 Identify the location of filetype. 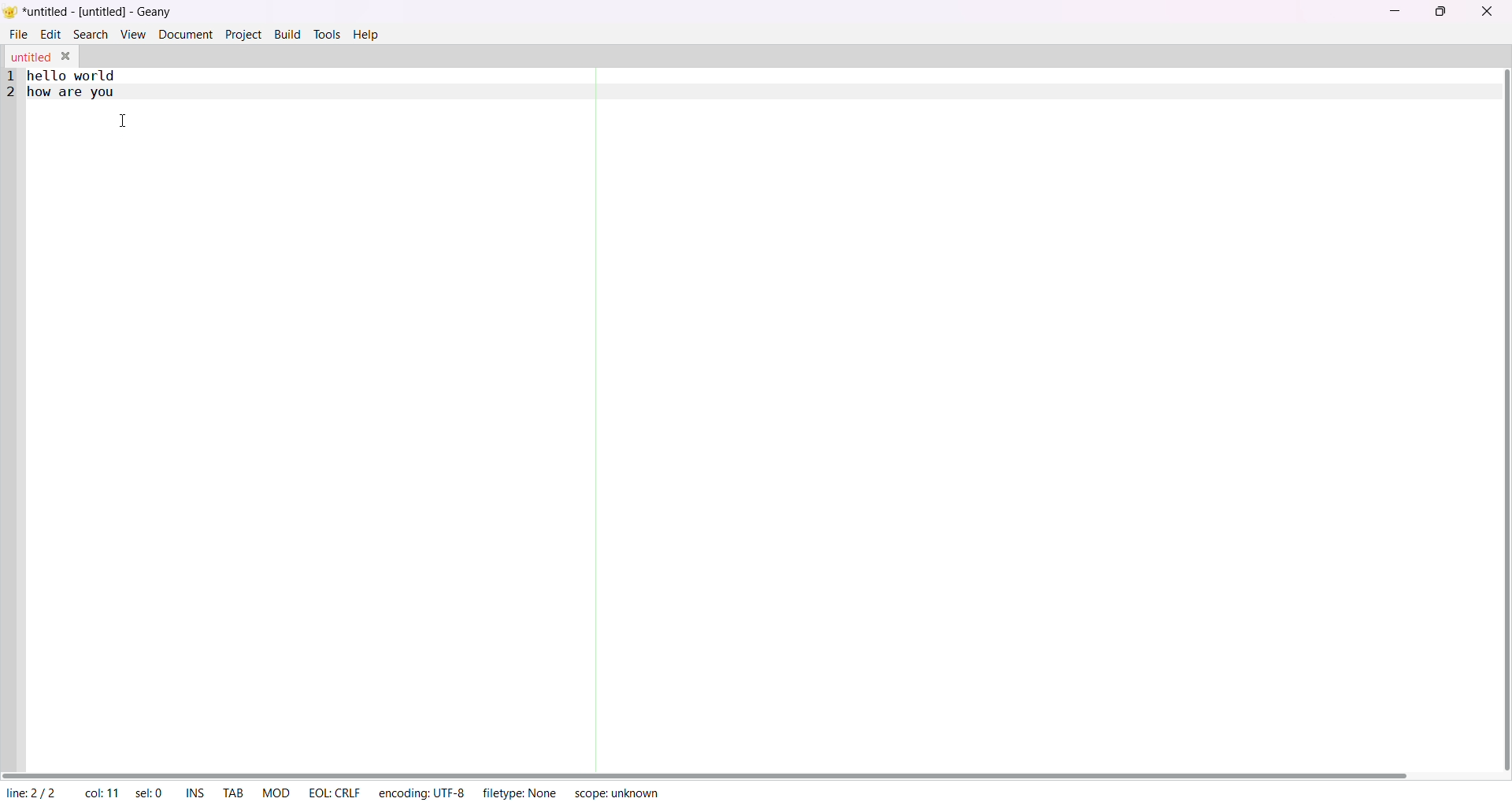
(518, 791).